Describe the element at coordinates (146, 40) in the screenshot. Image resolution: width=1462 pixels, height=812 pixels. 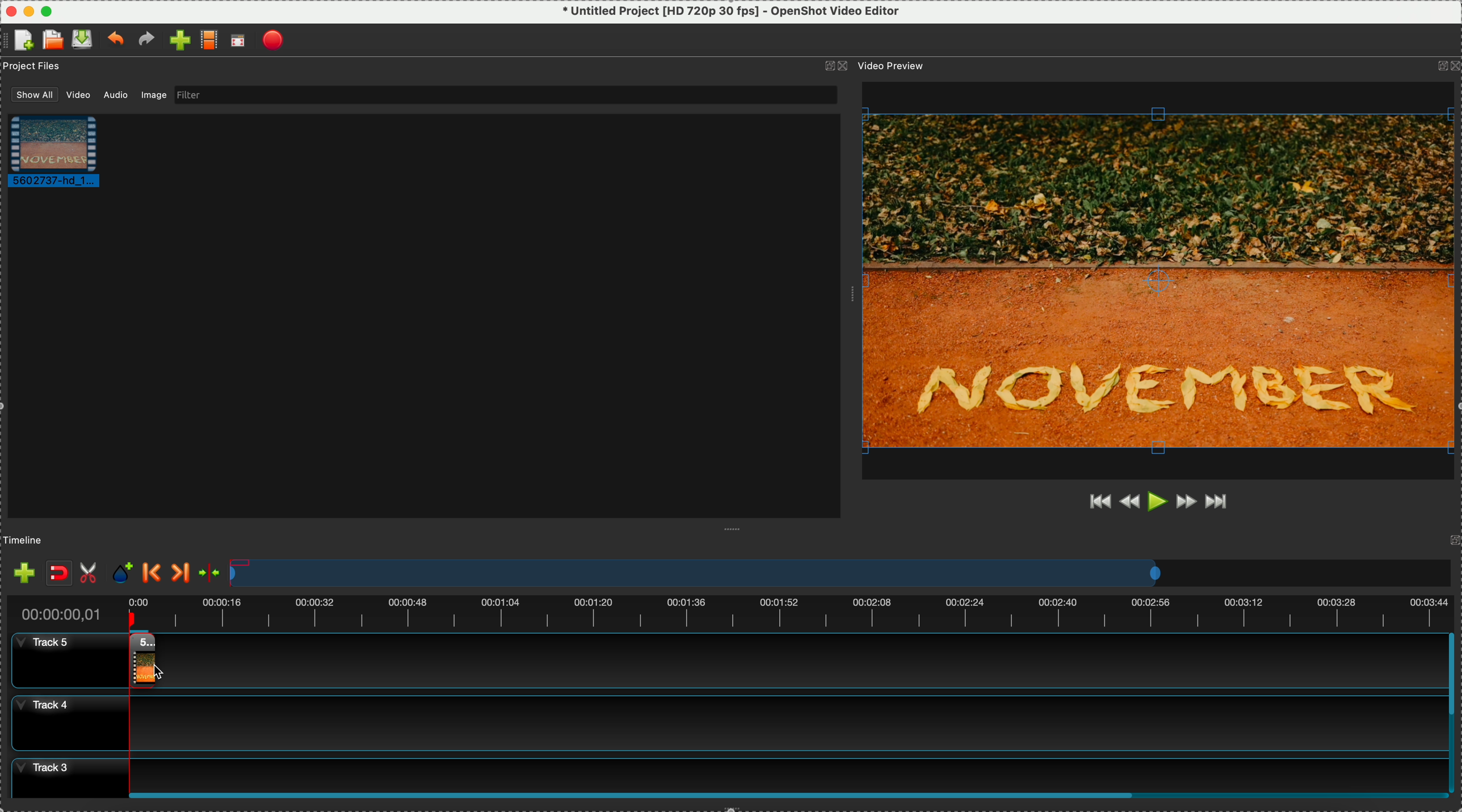
I see `redo` at that location.